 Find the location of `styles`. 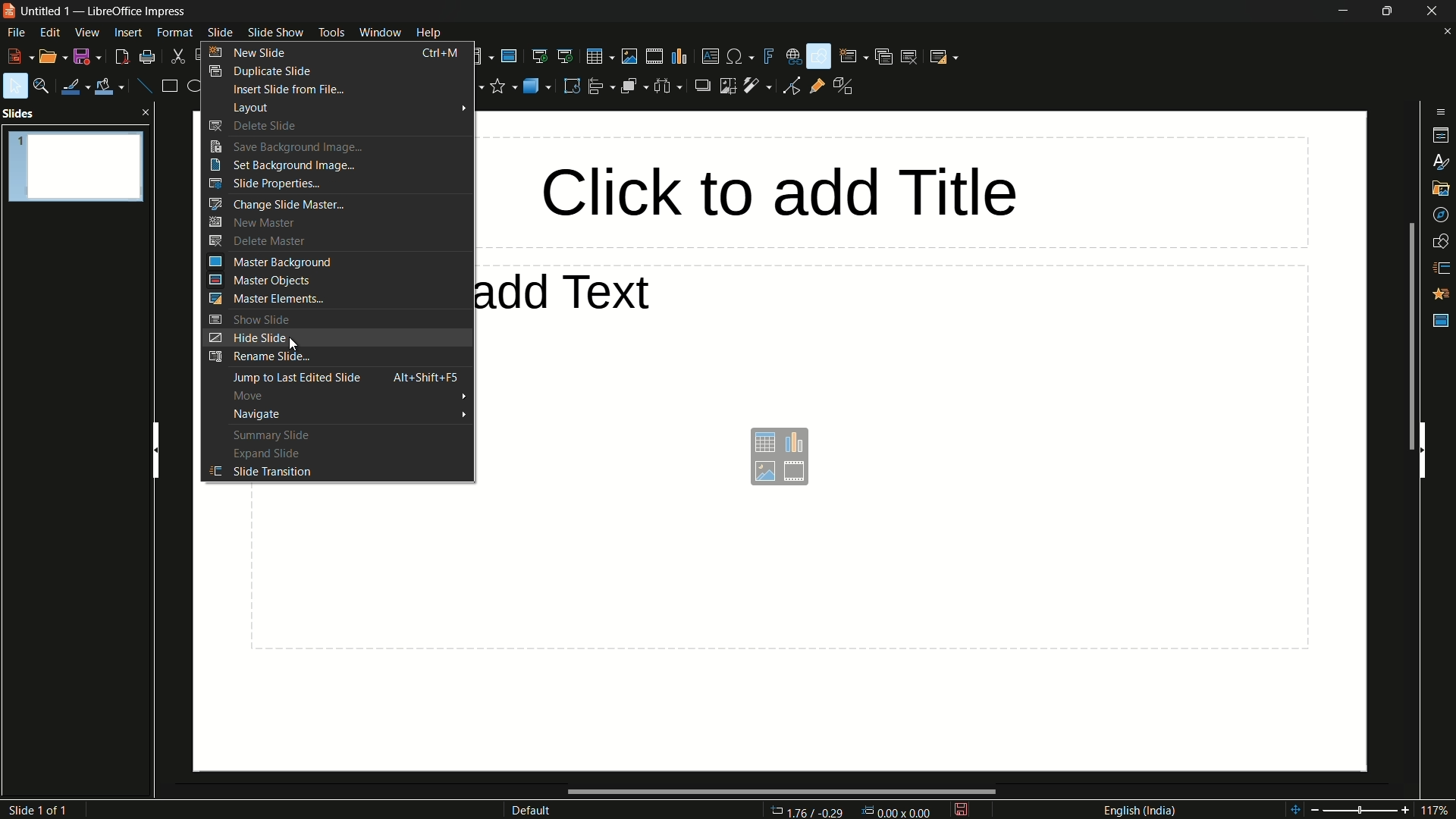

styles is located at coordinates (1439, 162).